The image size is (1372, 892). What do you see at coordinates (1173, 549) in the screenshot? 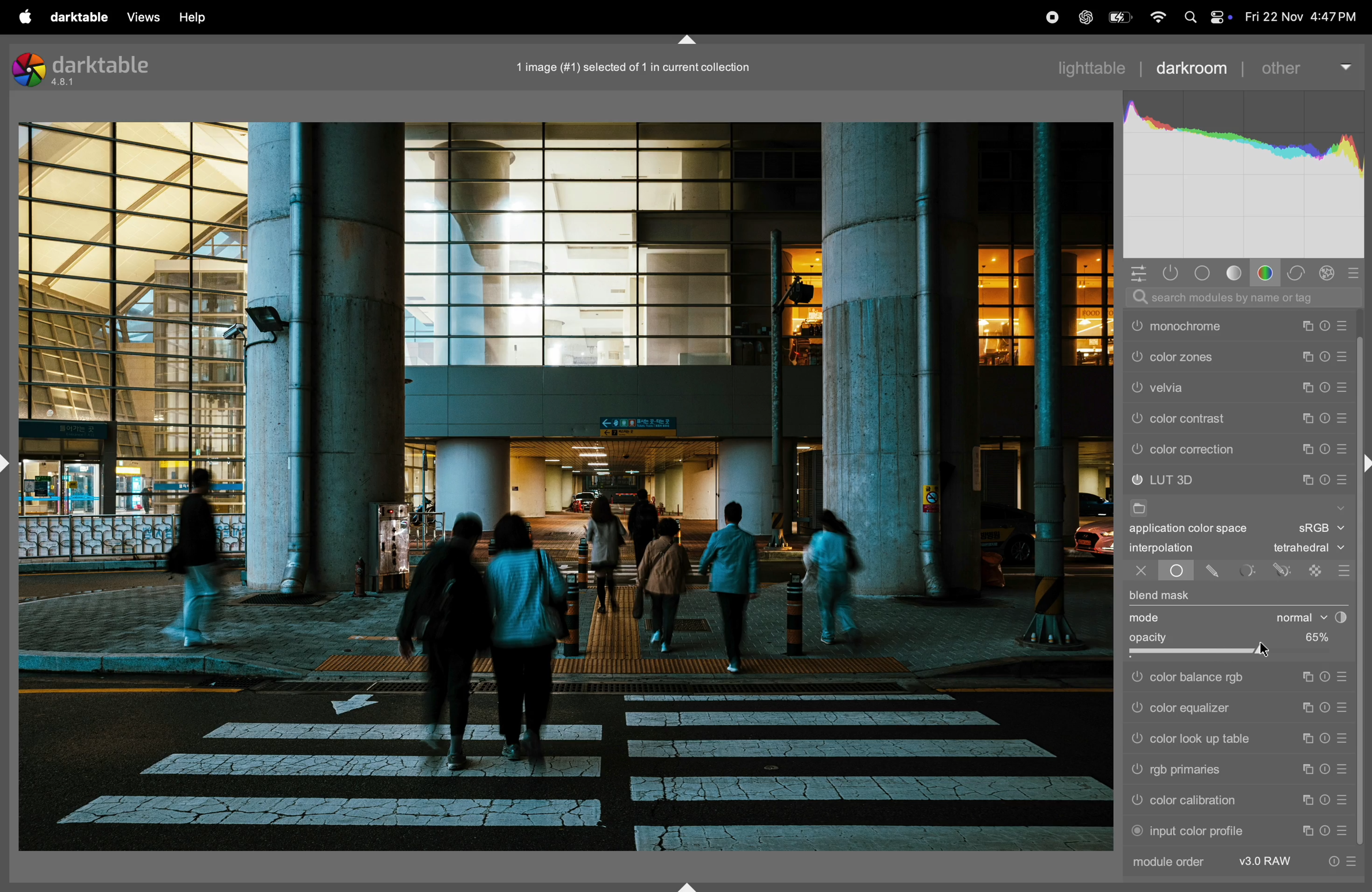
I see `interpolation` at bounding box center [1173, 549].